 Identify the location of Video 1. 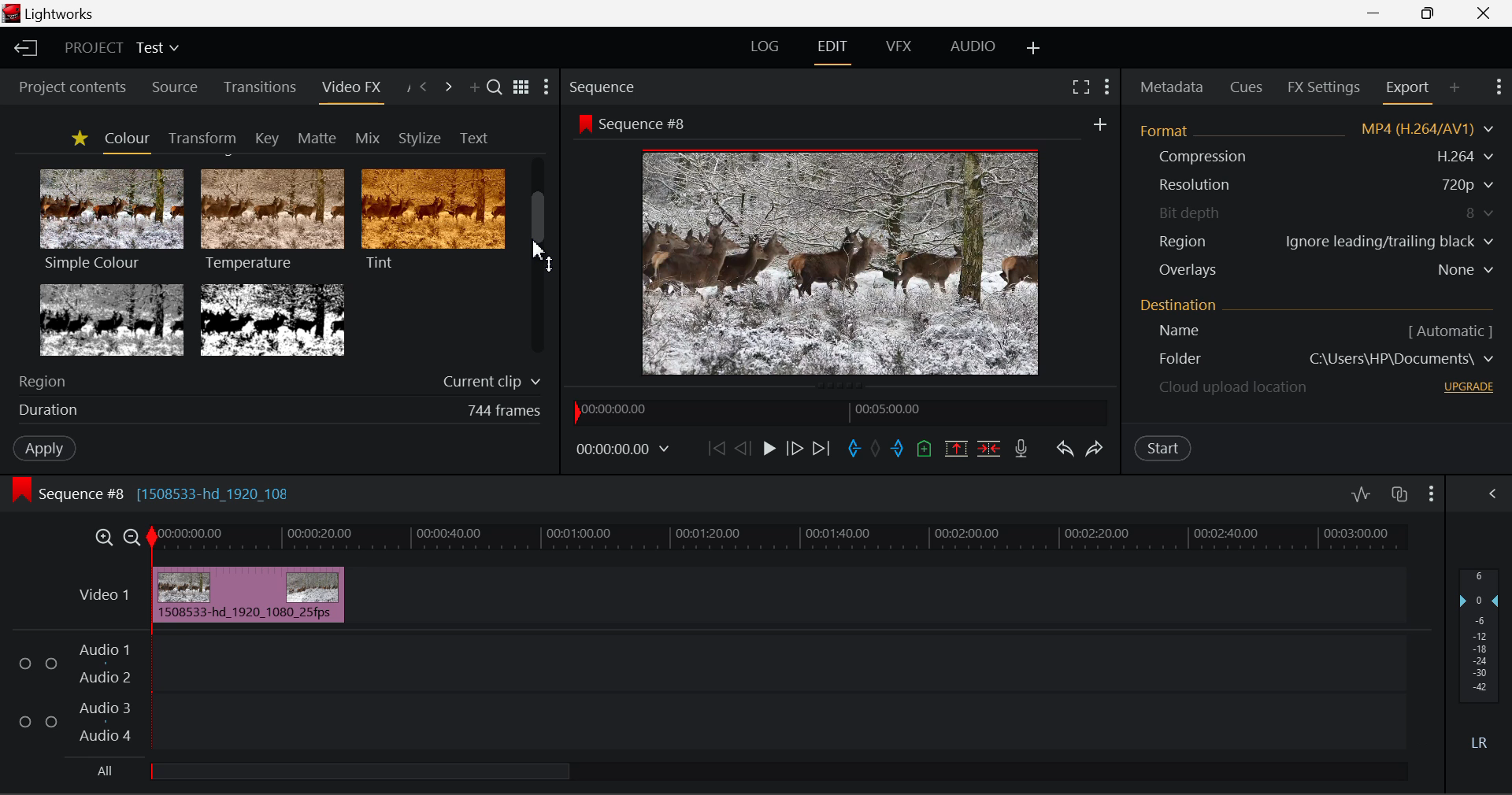
(103, 595).